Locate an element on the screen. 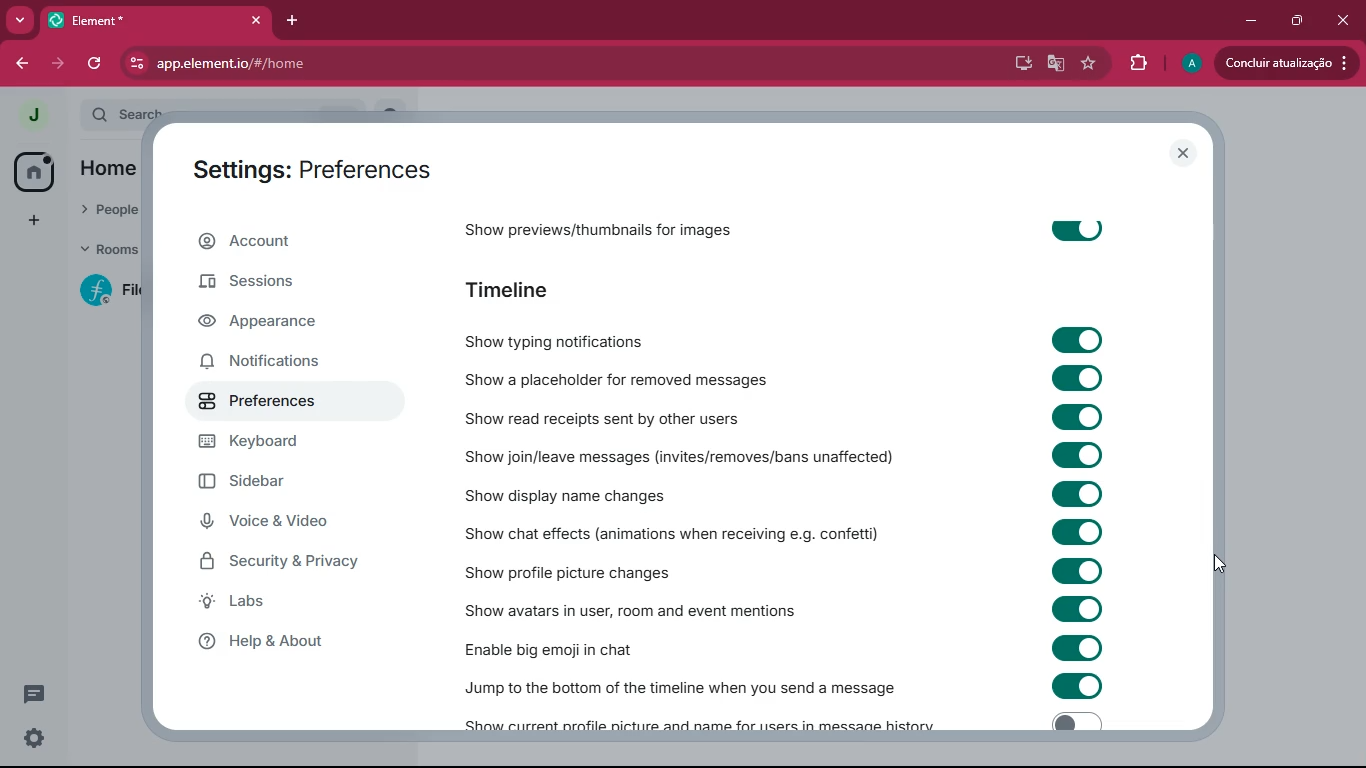 The height and width of the screenshot is (768, 1366). show previews/thumbnails for images is located at coordinates (604, 225).